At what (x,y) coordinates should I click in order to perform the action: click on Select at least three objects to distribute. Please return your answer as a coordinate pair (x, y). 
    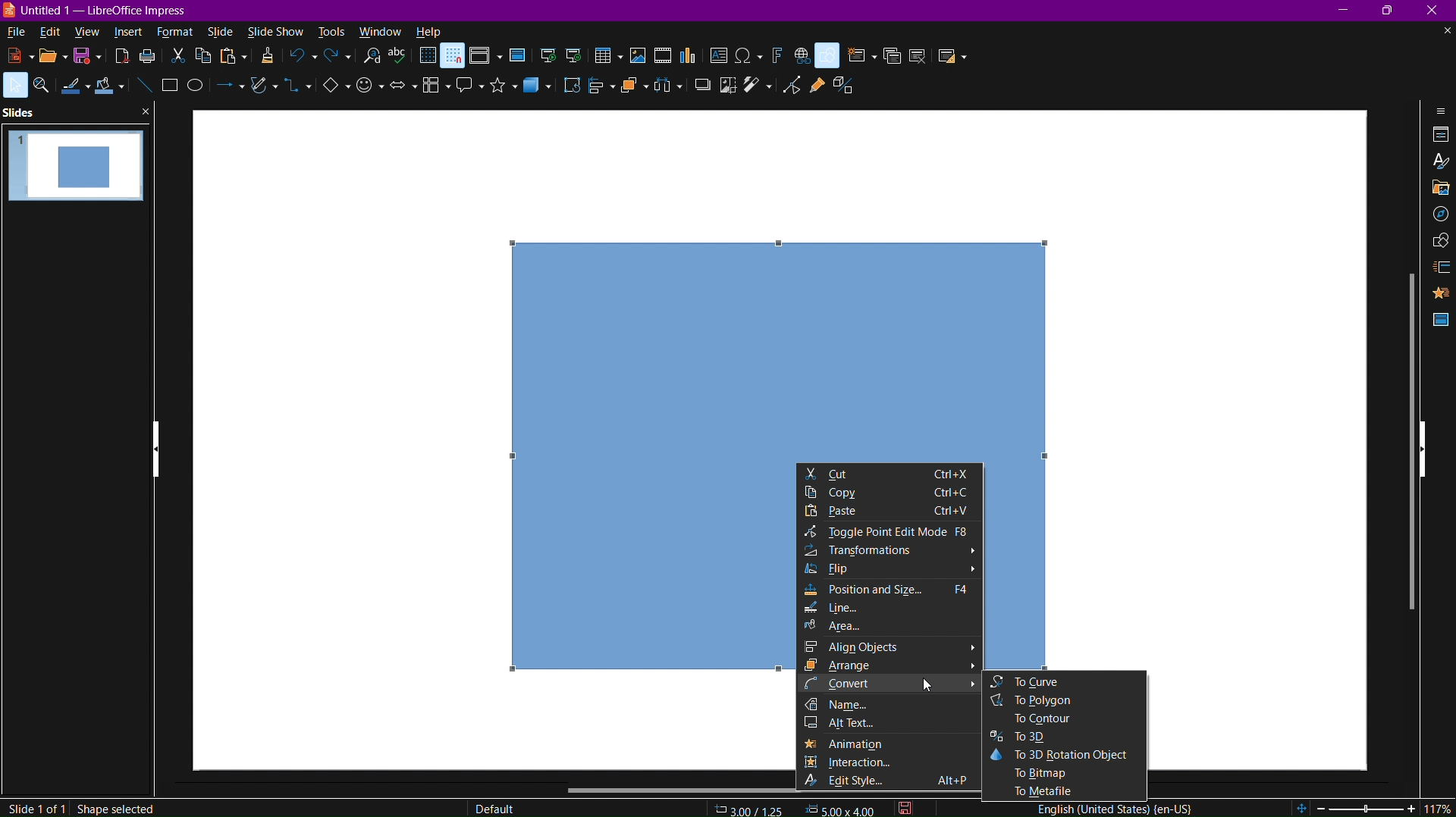
    Looking at the image, I should click on (667, 90).